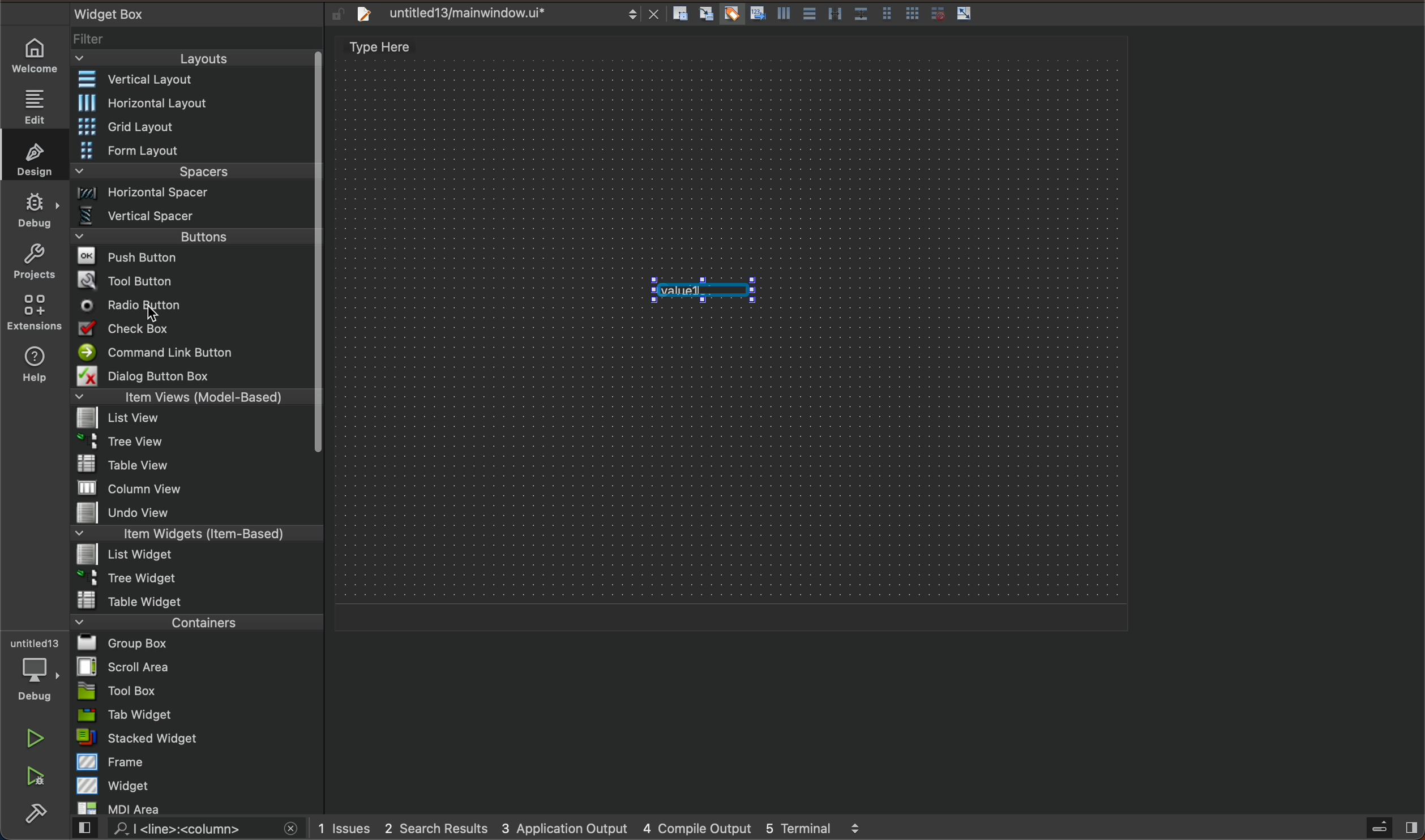  What do you see at coordinates (32, 367) in the screenshot?
I see `help` at bounding box center [32, 367].